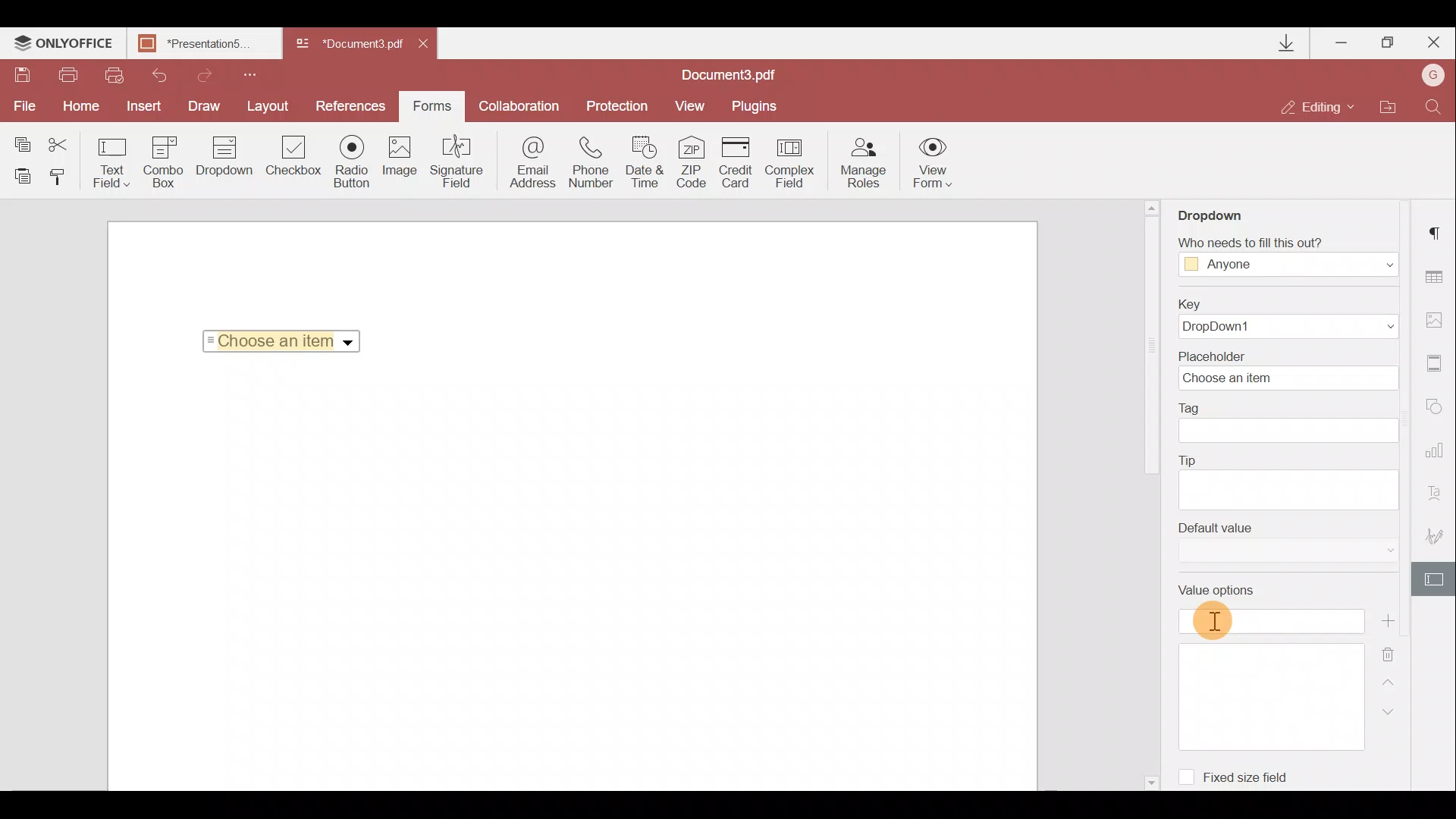 This screenshot has width=1456, height=819. I want to click on Collaboration, so click(518, 106).